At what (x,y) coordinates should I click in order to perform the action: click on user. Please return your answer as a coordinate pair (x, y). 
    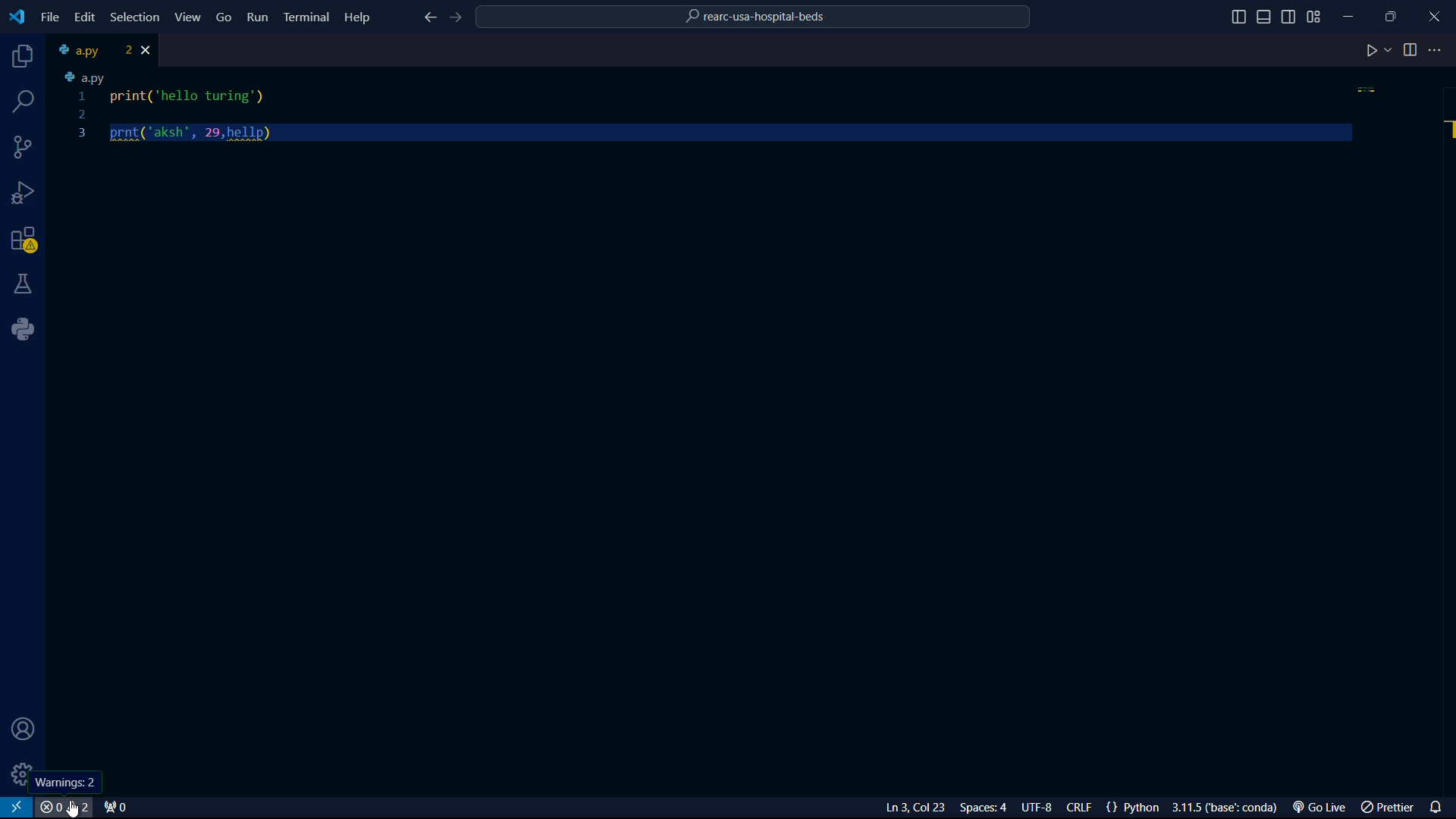
    Looking at the image, I should click on (19, 730).